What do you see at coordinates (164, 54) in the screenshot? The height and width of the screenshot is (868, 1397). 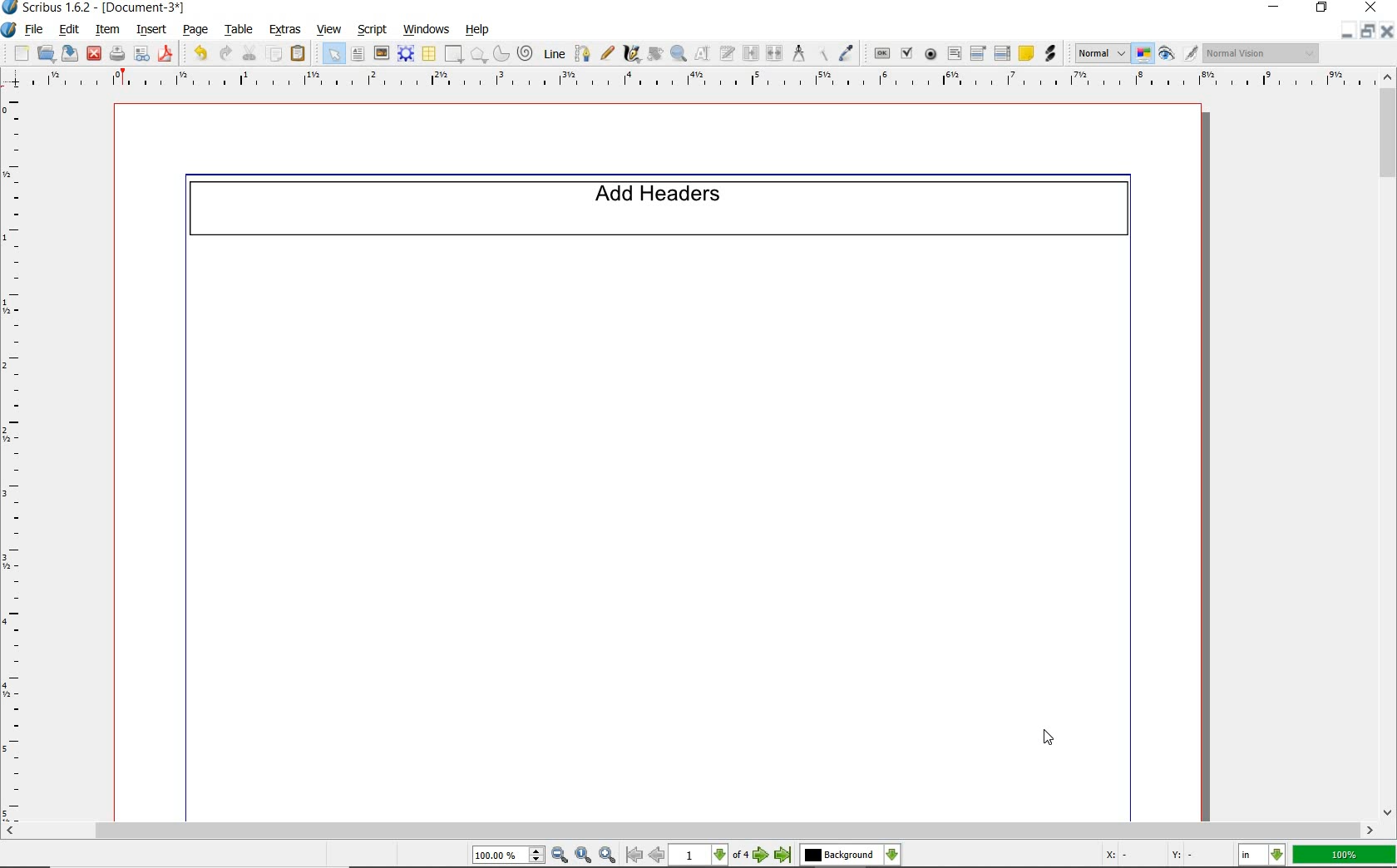 I see `save as pdf` at bounding box center [164, 54].